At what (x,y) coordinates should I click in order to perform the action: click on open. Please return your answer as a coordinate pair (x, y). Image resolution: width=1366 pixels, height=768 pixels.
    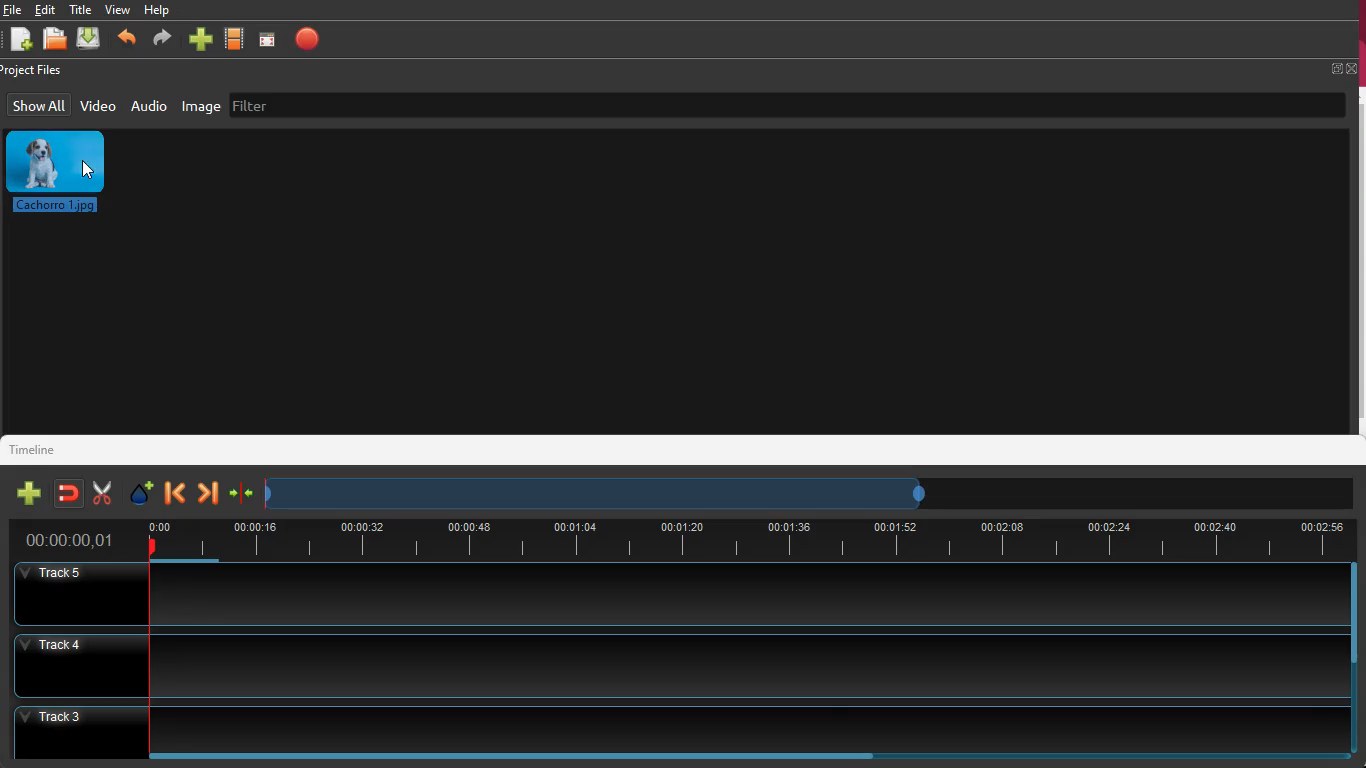
    Looking at the image, I should click on (55, 40).